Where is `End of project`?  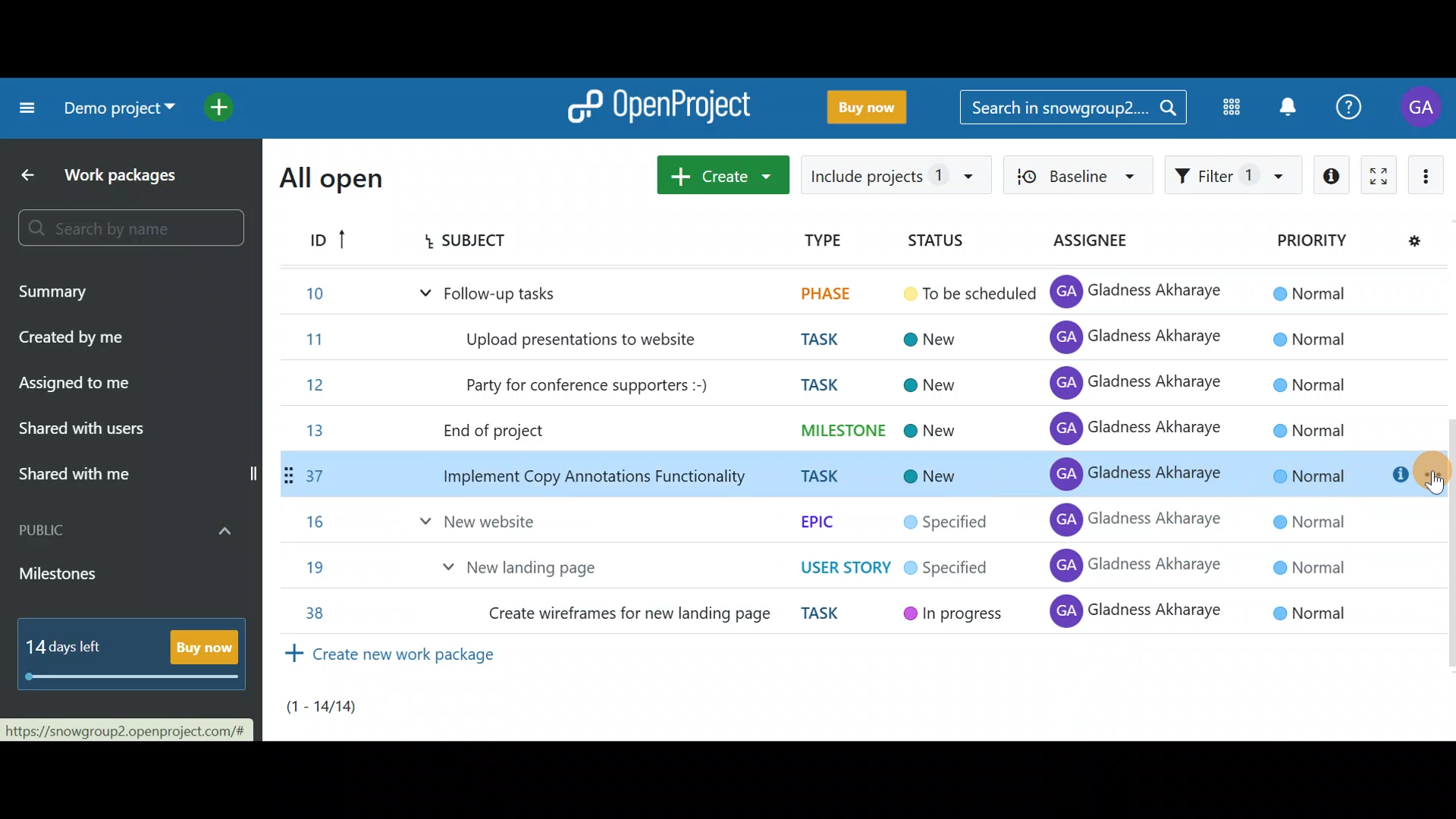
End of project is located at coordinates (494, 431).